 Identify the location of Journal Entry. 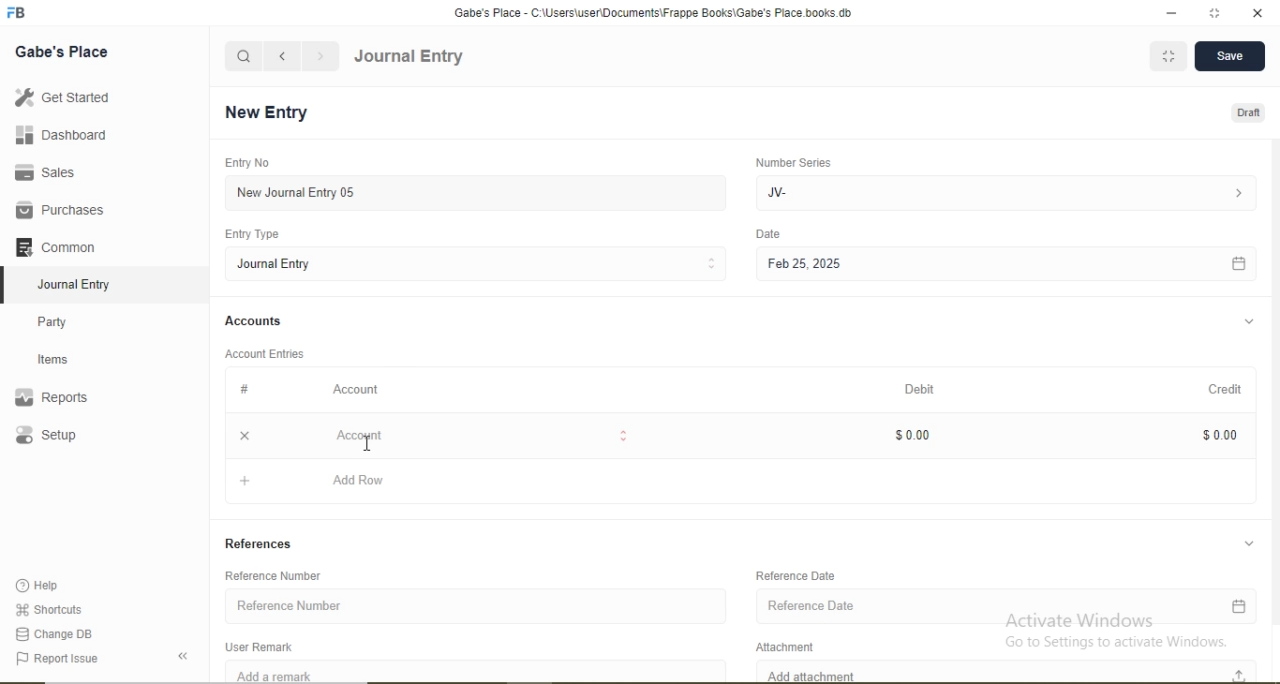
(80, 282).